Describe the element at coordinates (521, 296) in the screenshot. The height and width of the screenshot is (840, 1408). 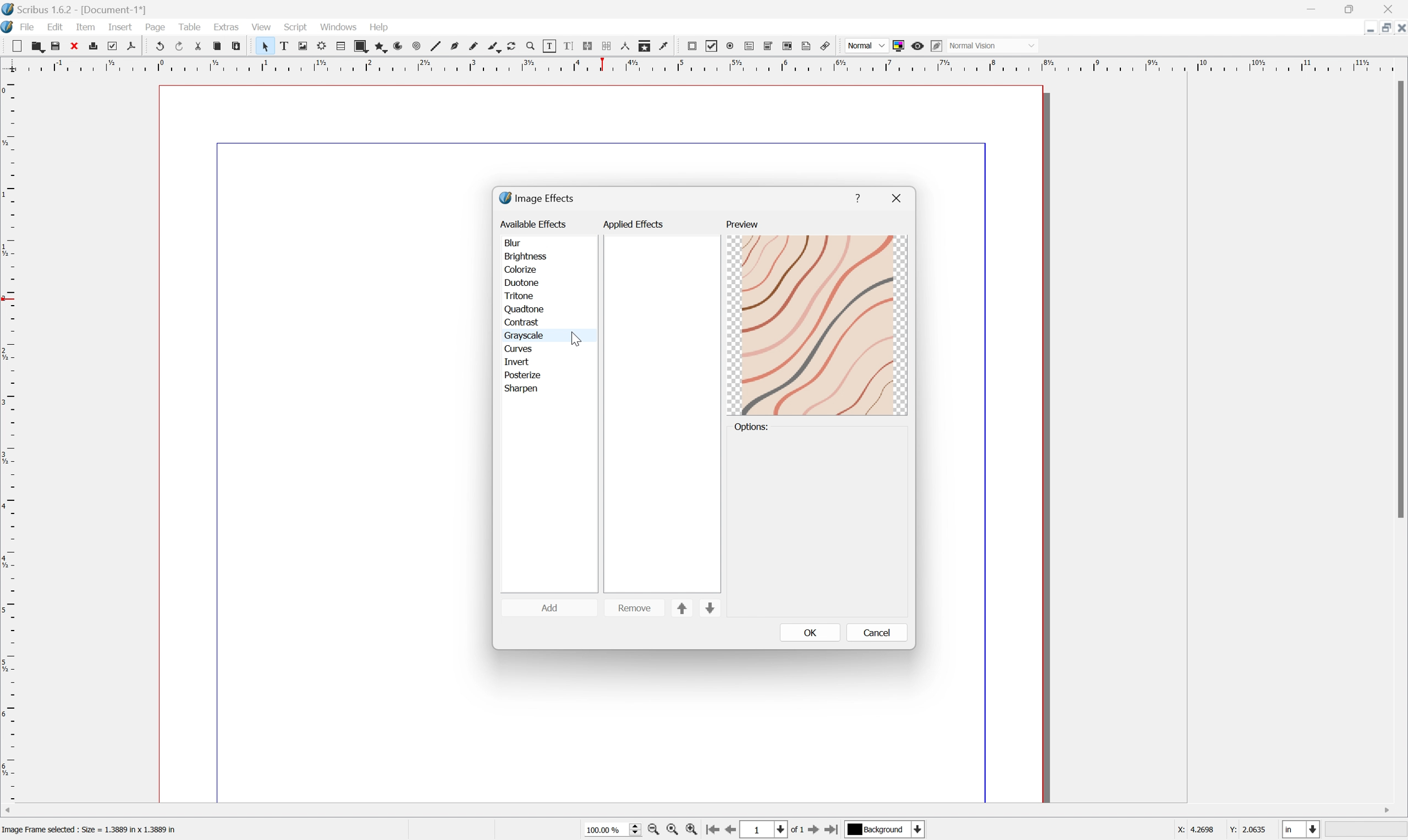
I see `tritone` at that location.